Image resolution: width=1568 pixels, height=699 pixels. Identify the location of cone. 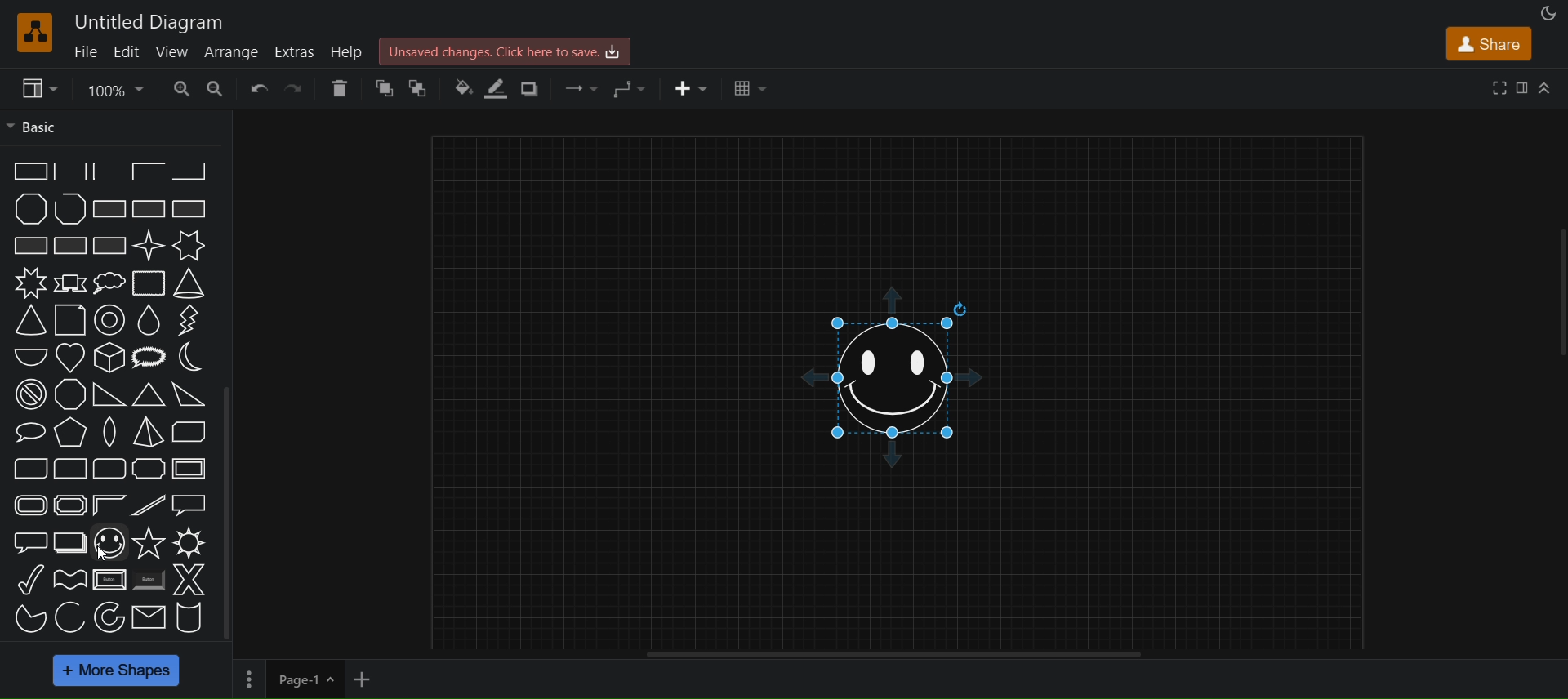
(189, 283).